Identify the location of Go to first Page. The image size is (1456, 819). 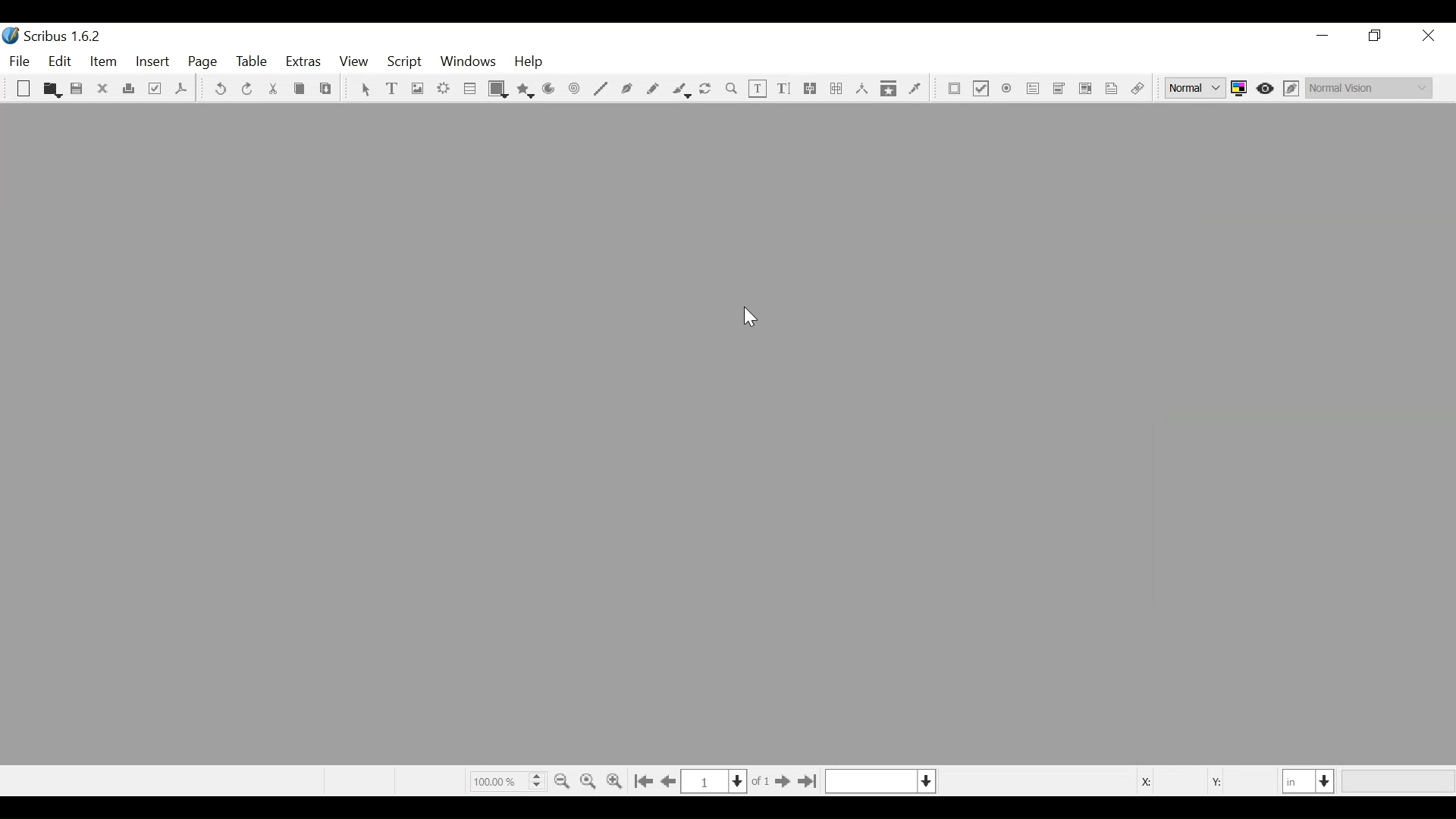
(645, 781).